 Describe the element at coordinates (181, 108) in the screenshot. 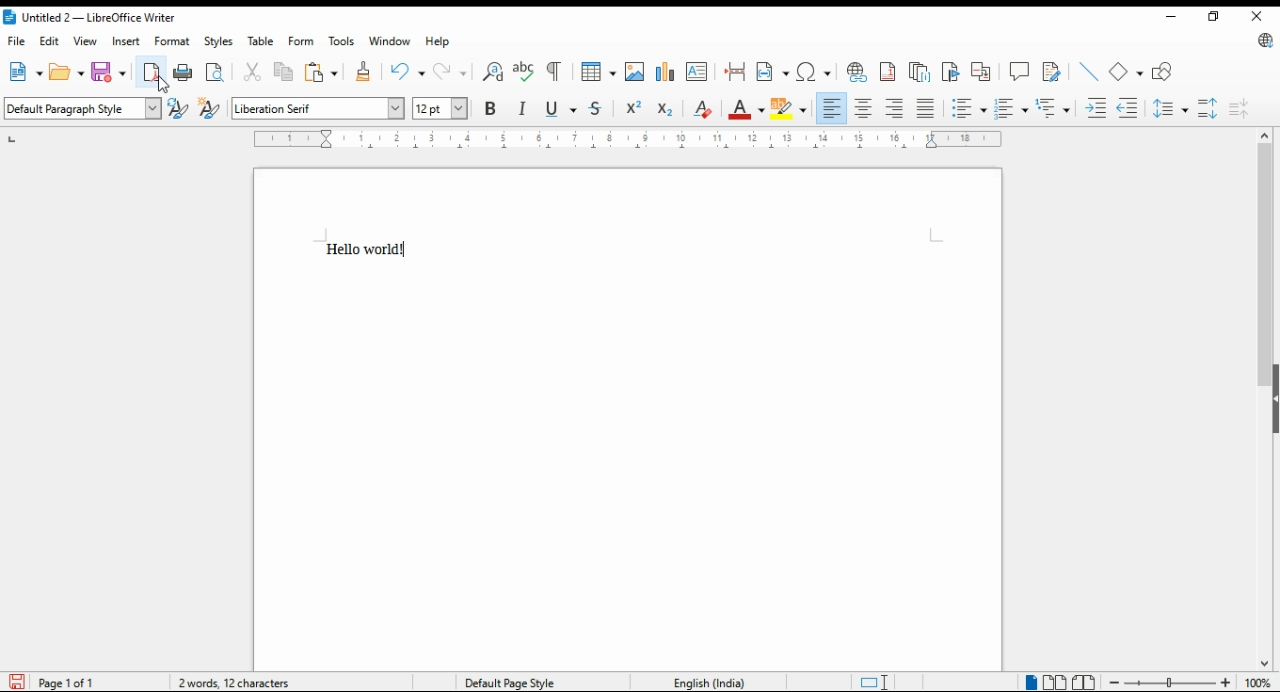

I see `update selected style` at that location.